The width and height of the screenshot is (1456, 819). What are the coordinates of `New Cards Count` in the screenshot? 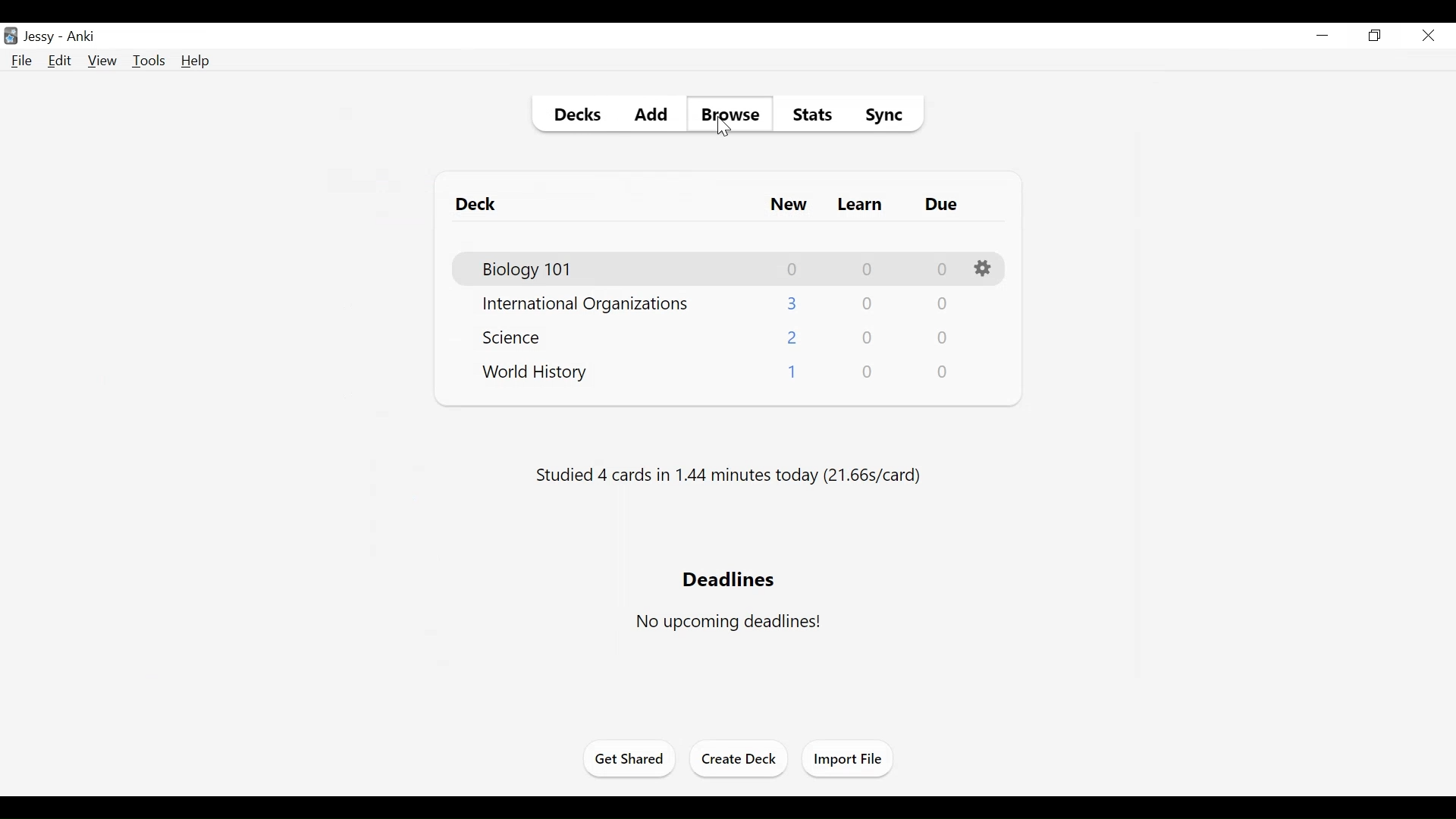 It's located at (794, 337).